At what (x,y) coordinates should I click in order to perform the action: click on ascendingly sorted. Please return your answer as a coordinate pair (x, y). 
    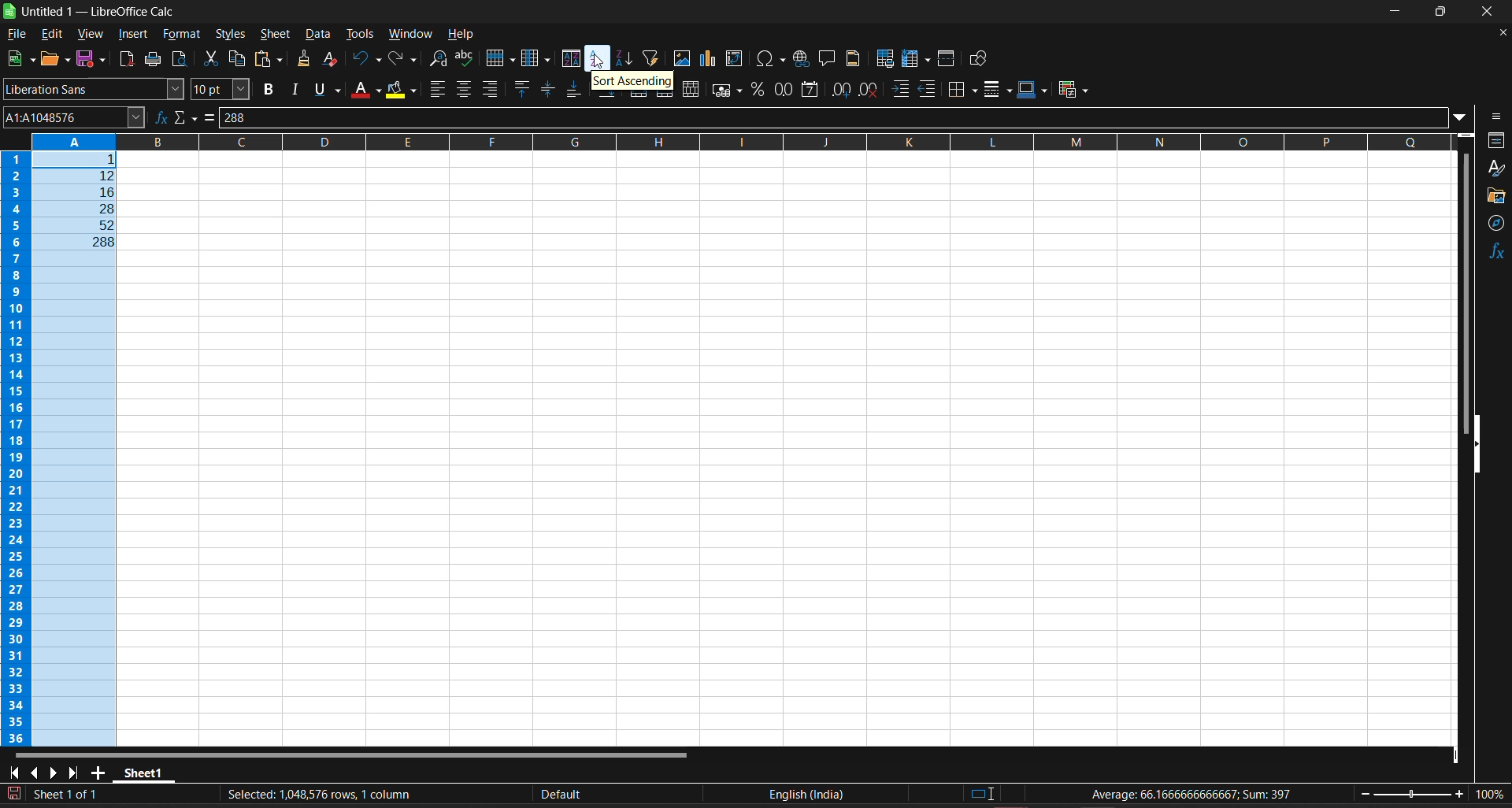
    Looking at the image, I should click on (77, 201).